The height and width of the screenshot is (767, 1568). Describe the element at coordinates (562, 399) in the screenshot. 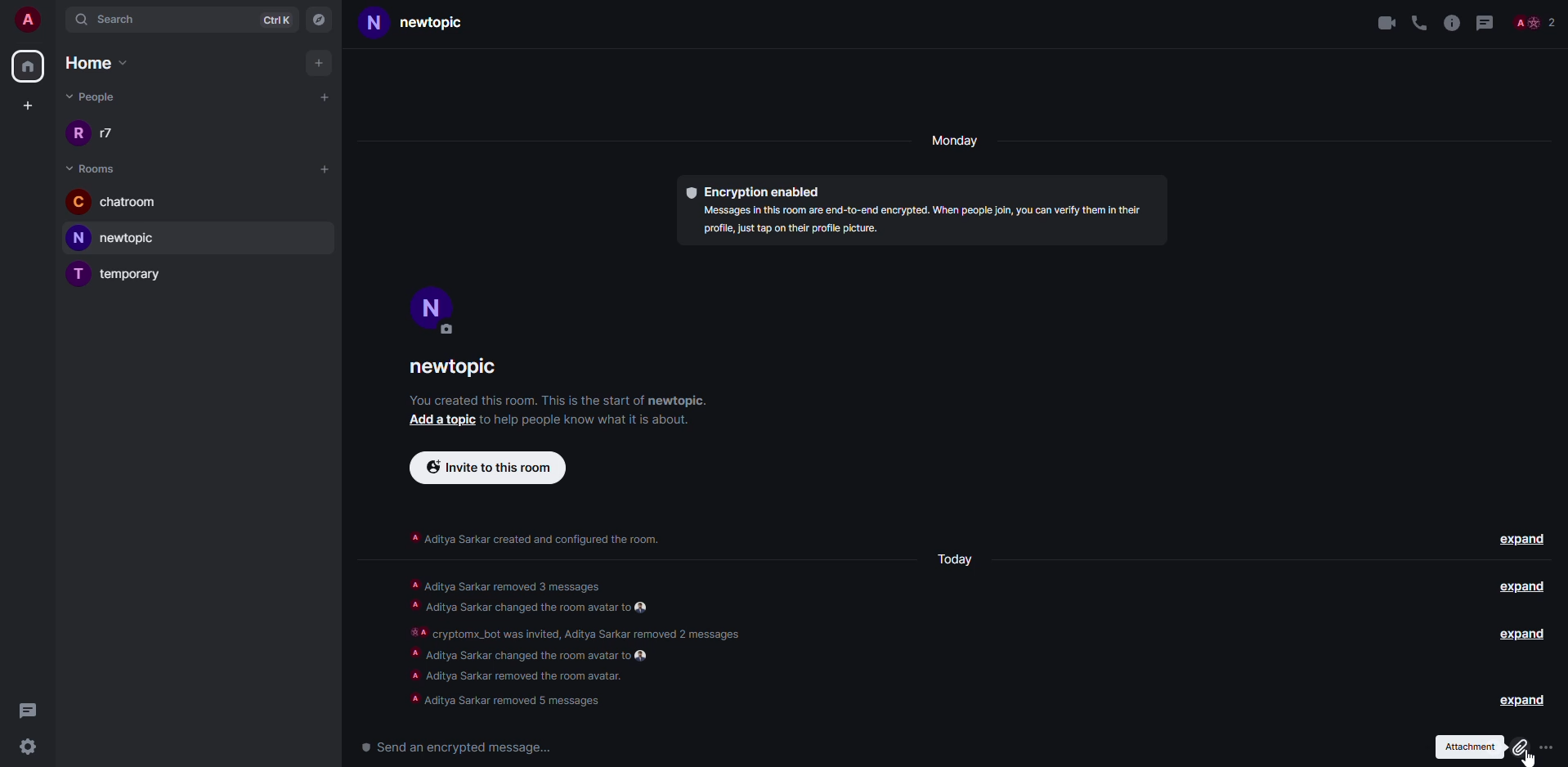

I see `info` at that location.